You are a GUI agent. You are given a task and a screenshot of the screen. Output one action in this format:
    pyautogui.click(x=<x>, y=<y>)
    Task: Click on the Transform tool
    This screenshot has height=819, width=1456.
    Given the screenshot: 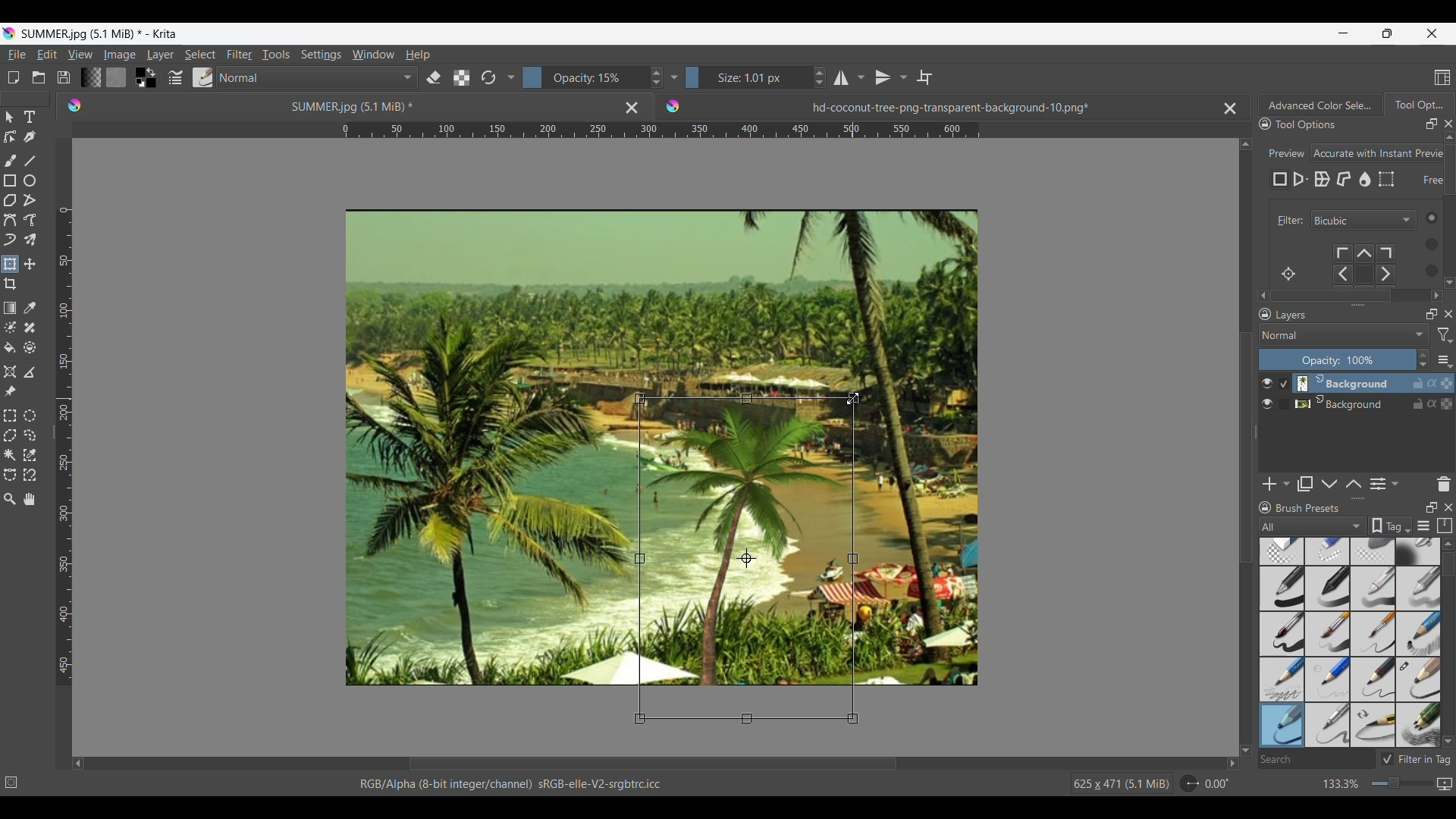 What is the action you would take?
    pyautogui.click(x=9, y=264)
    